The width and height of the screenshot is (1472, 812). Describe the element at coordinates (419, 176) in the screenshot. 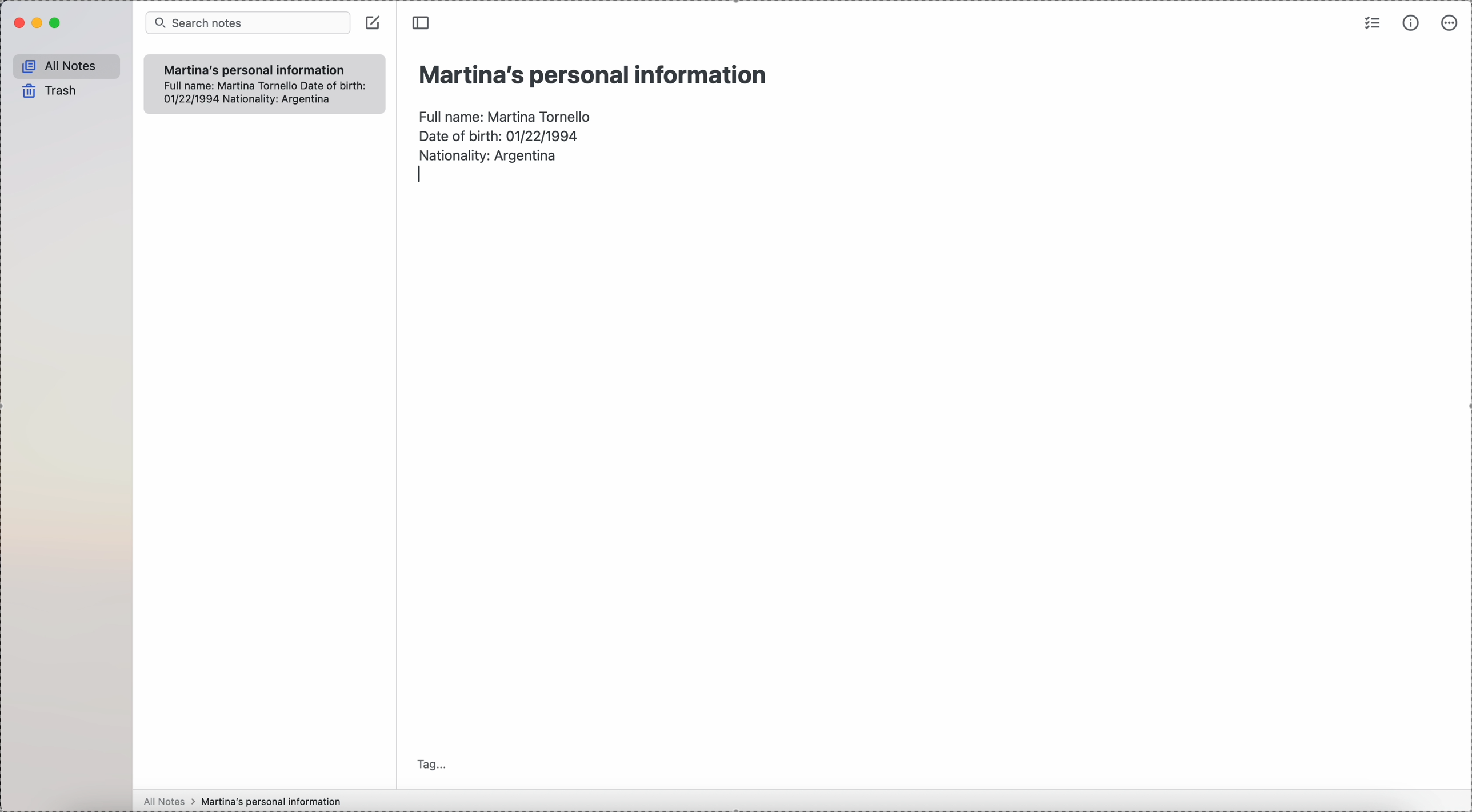

I see `enter` at that location.